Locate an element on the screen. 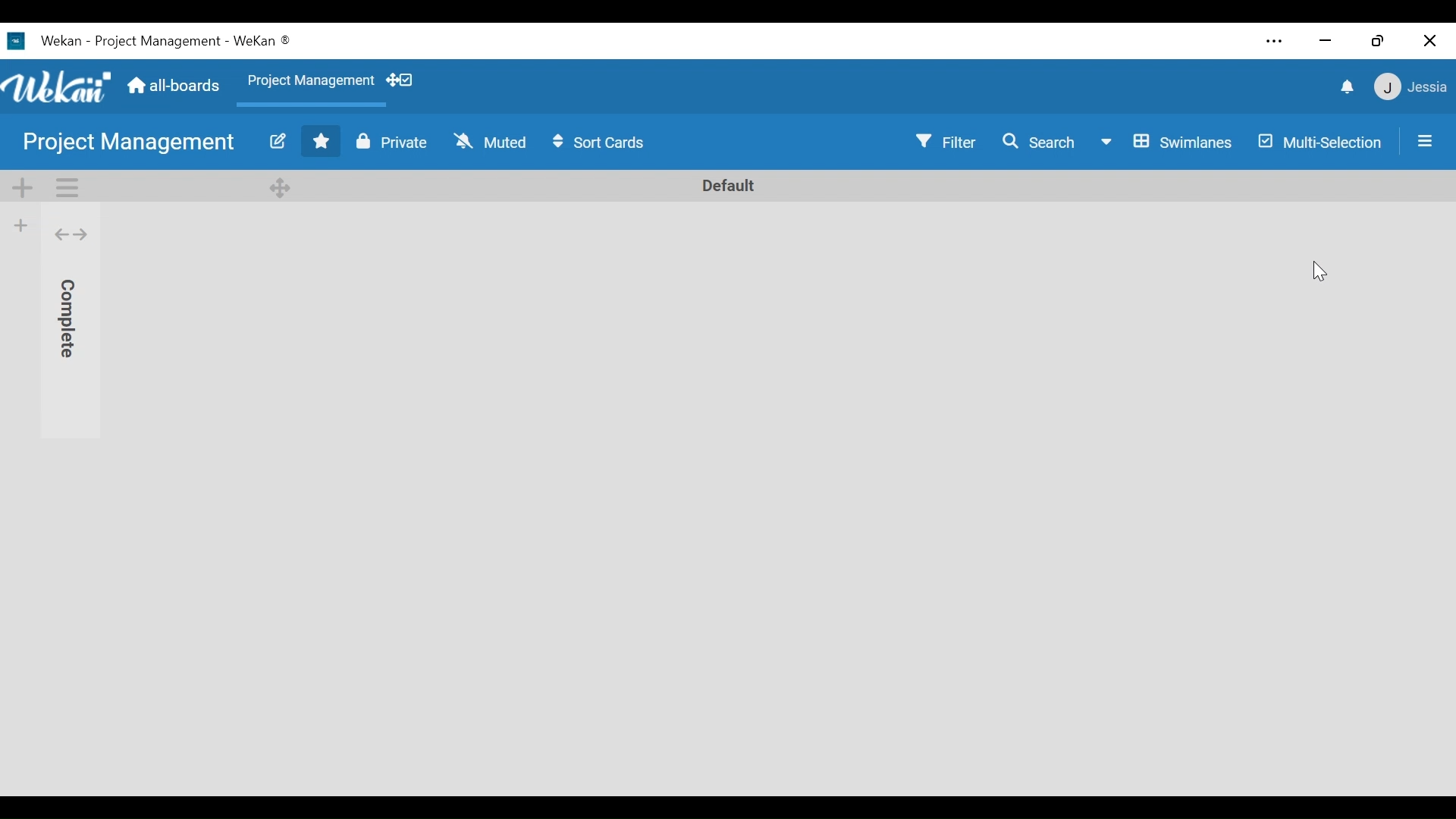  notification is located at coordinates (1345, 87).